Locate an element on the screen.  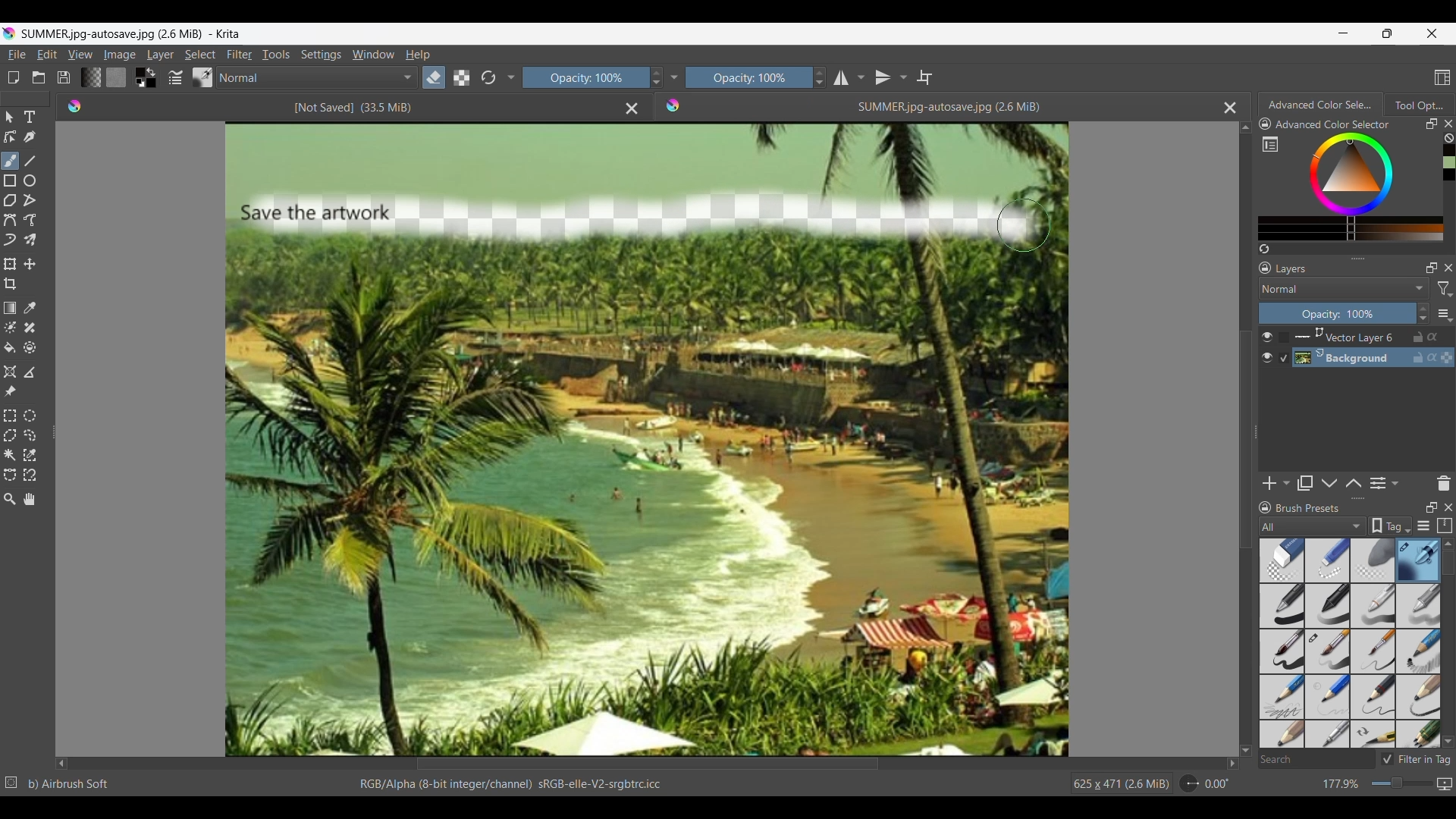
Background is located at coordinates (1376, 358).